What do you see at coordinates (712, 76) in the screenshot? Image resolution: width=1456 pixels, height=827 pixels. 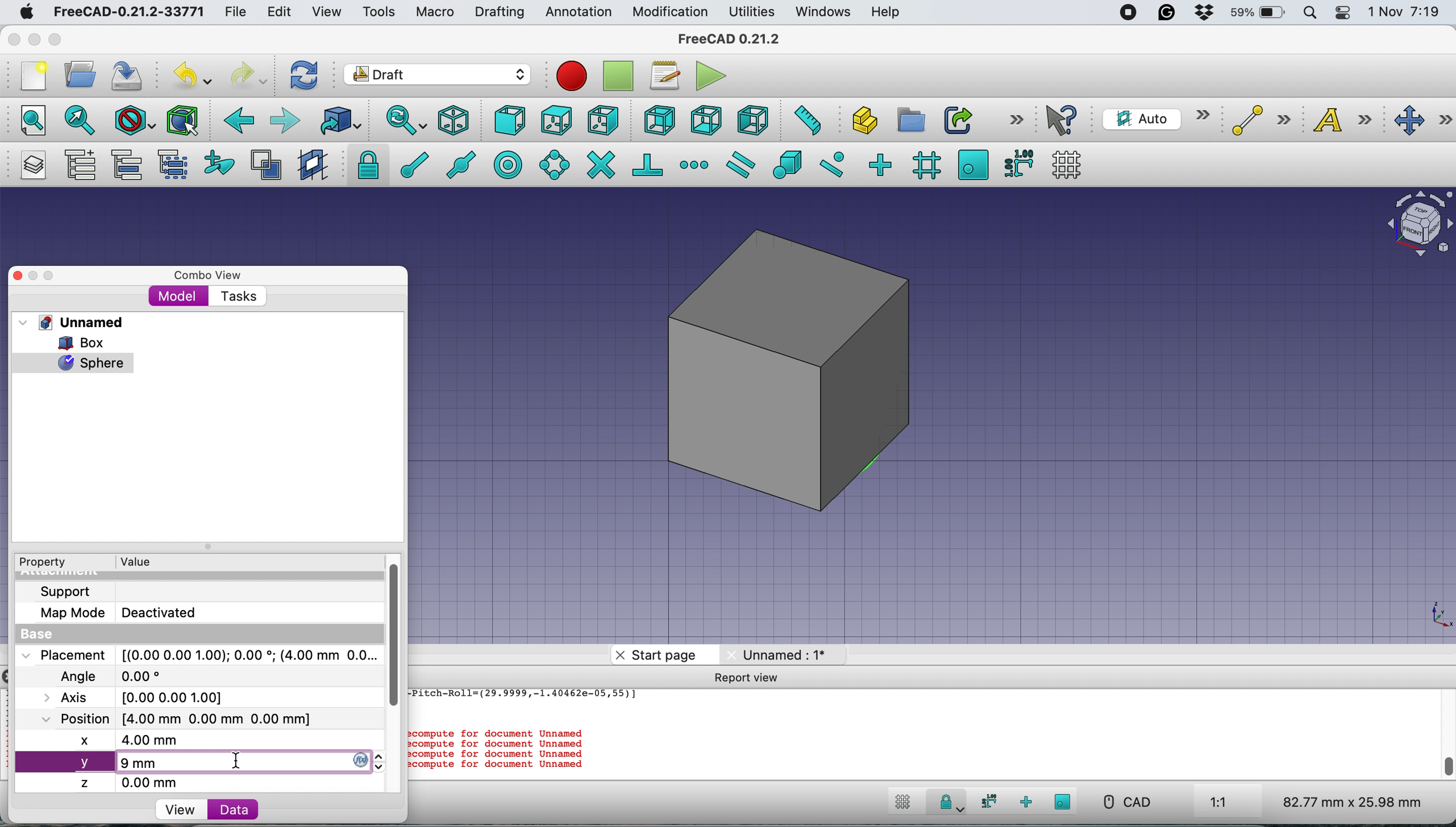 I see `execute macros` at bounding box center [712, 76].